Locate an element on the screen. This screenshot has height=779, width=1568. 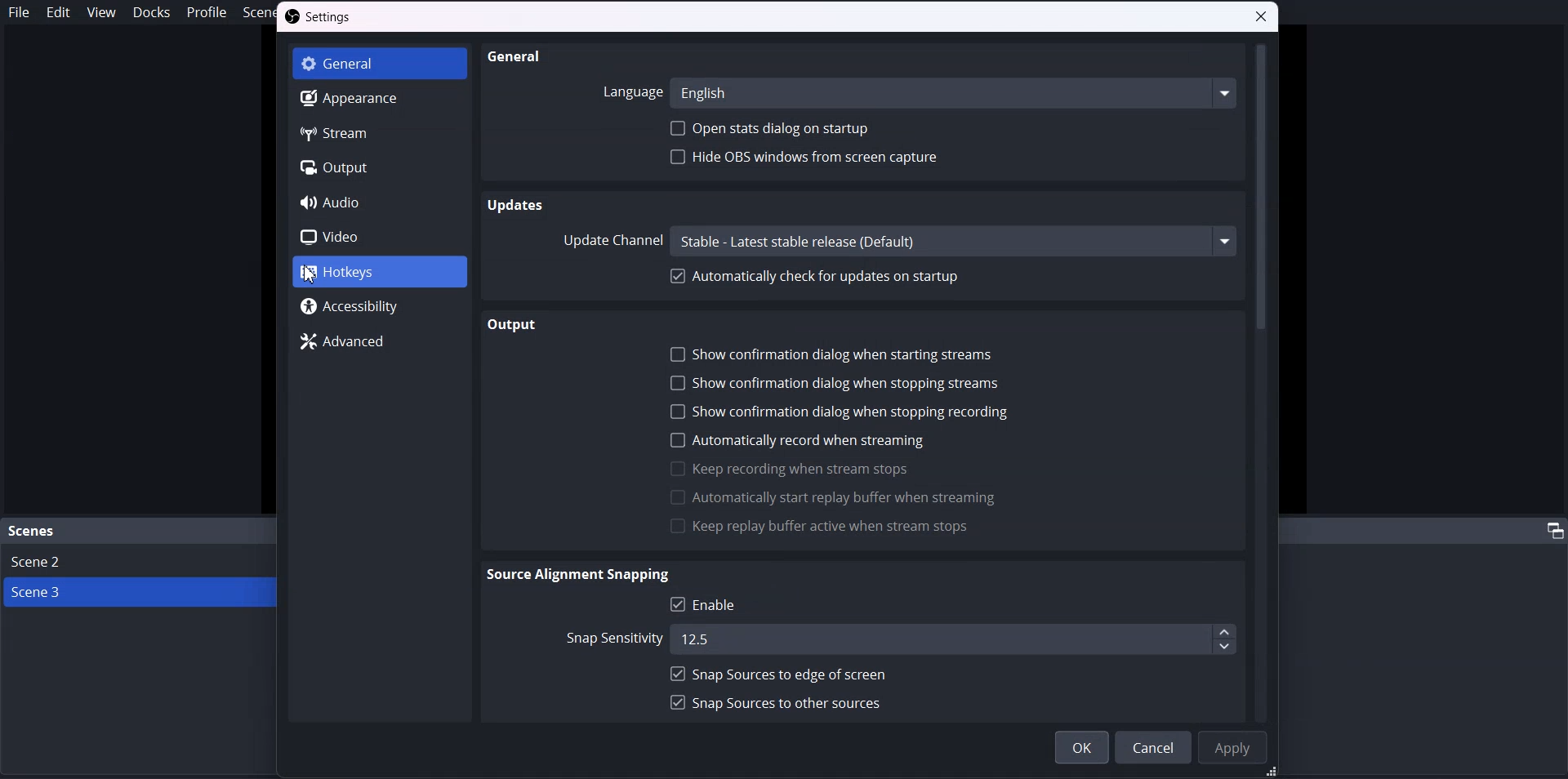
General is located at coordinates (515, 56).